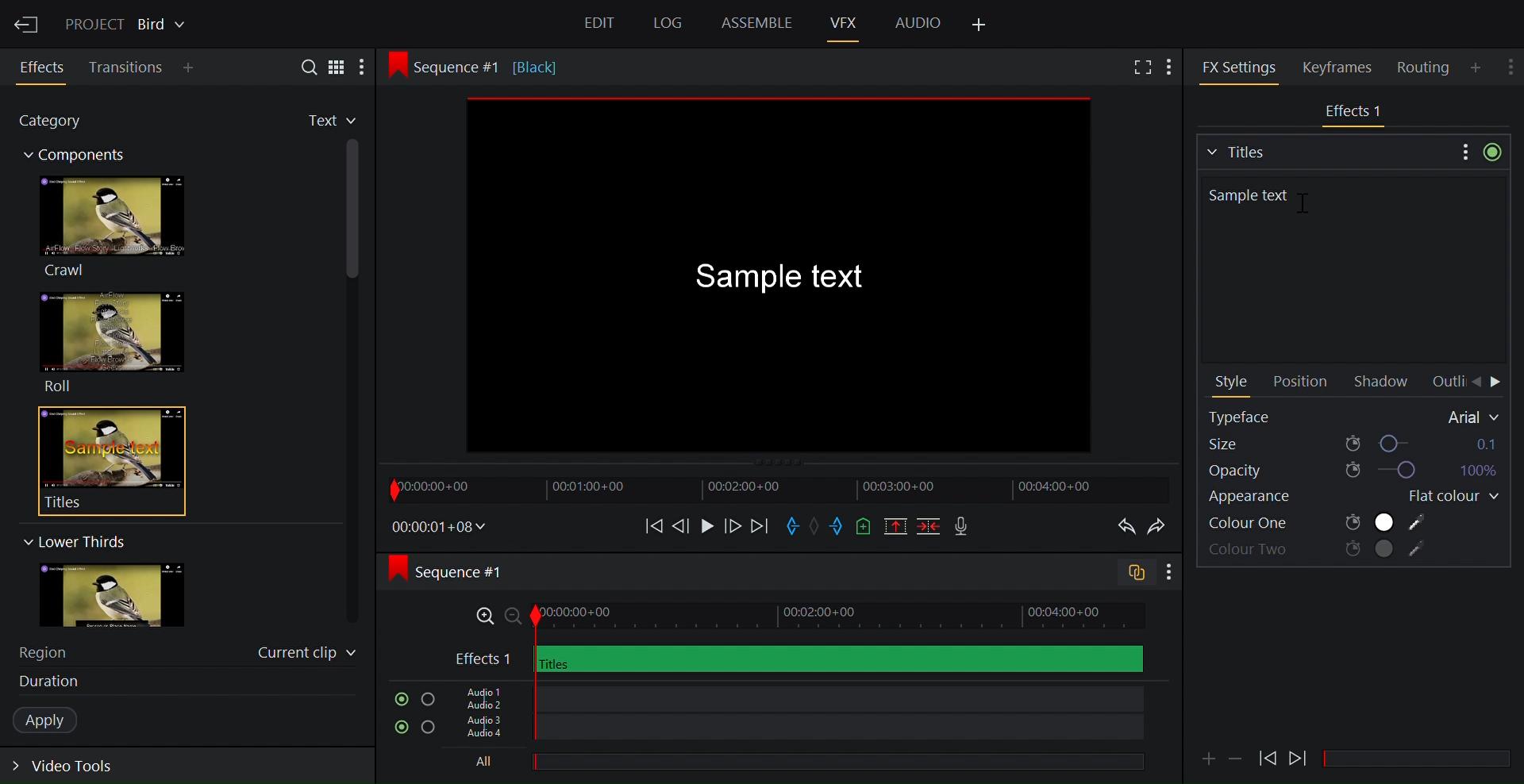 This screenshot has height=784, width=1524. What do you see at coordinates (1497, 383) in the screenshot?
I see `Move Forward` at bounding box center [1497, 383].